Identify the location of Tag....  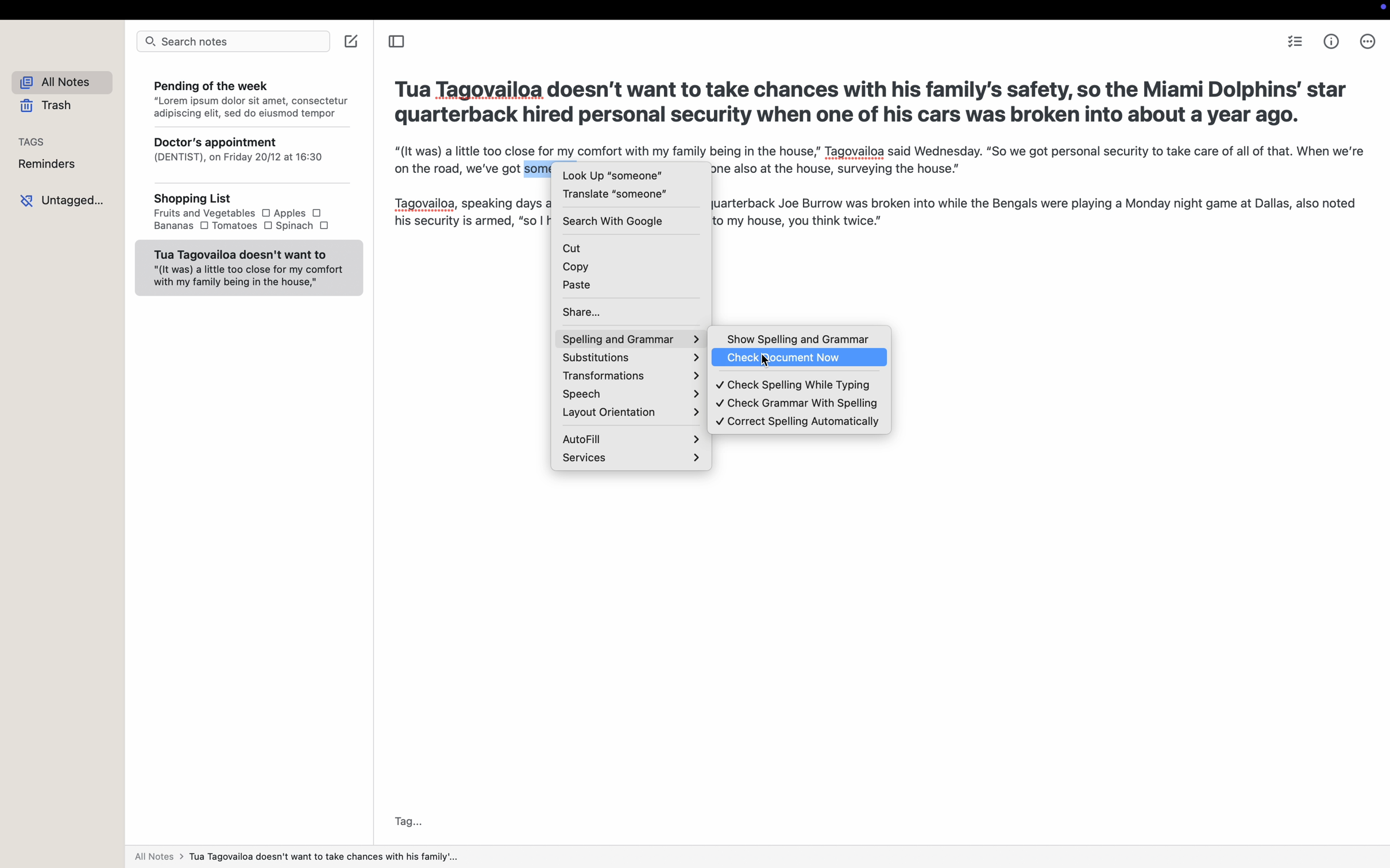
(406, 822).